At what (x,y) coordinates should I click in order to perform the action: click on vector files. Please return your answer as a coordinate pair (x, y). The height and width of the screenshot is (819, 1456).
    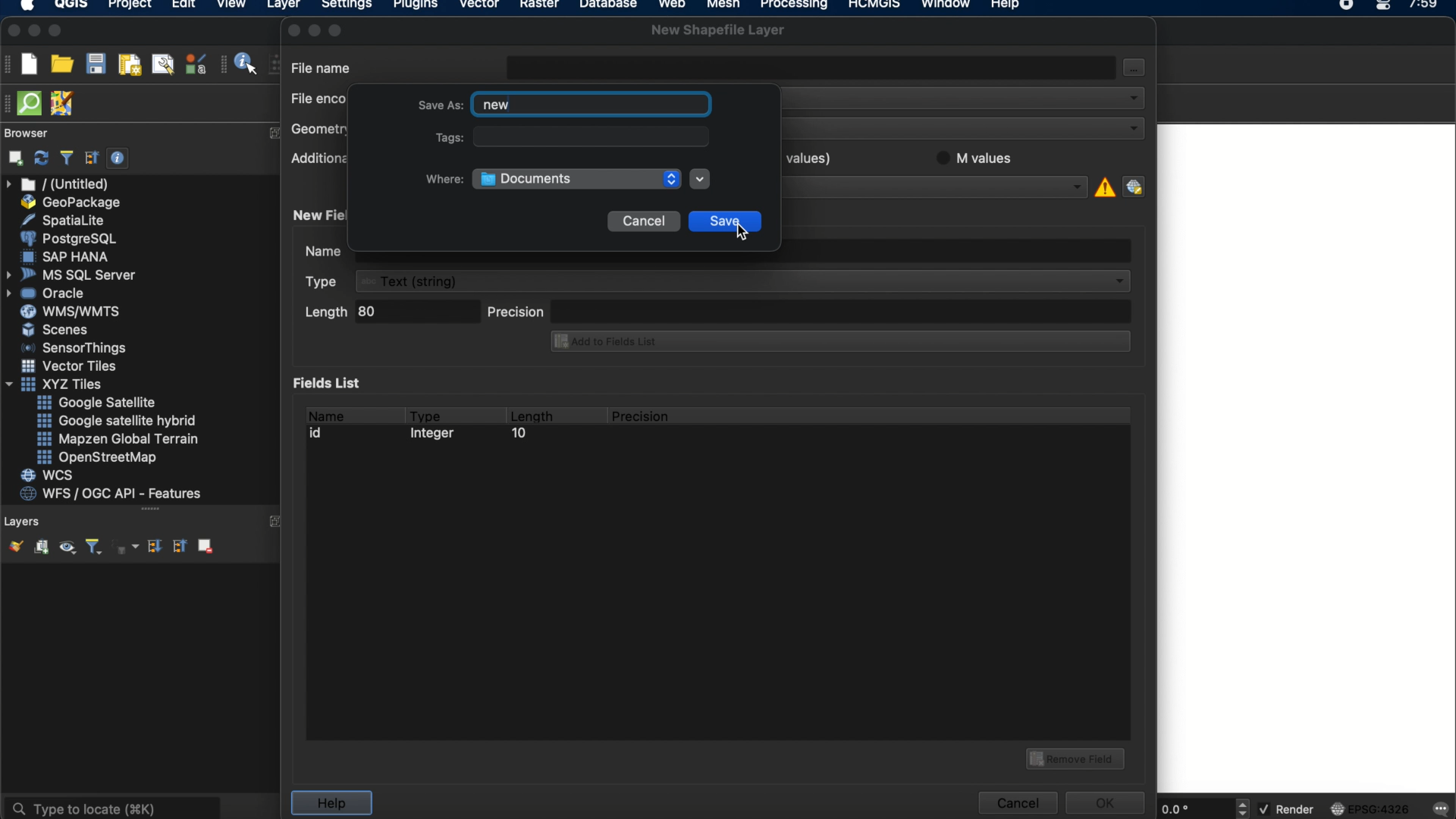
    Looking at the image, I should click on (71, 366).